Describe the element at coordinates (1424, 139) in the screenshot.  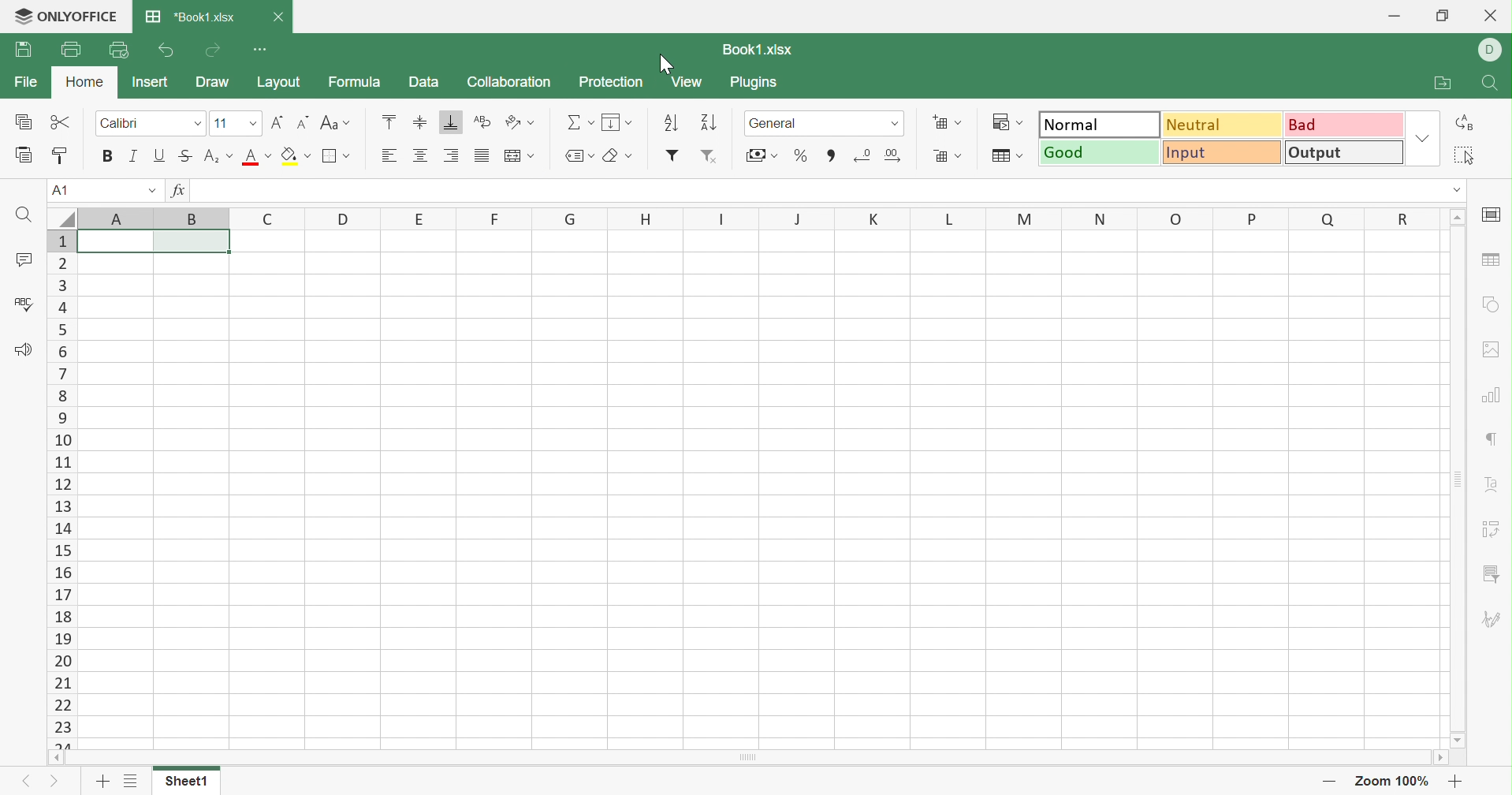
I see `Drop Down` at that location.